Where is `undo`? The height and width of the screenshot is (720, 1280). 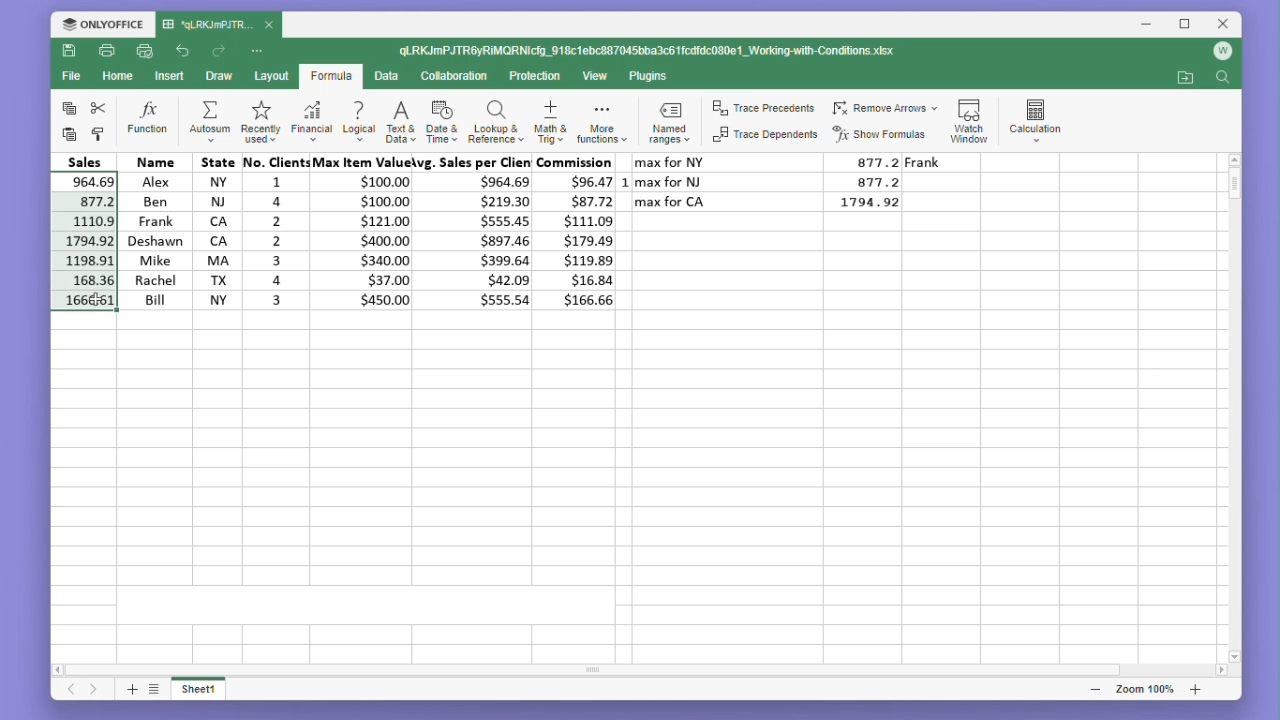 undo is located at coordinates (184, 52).